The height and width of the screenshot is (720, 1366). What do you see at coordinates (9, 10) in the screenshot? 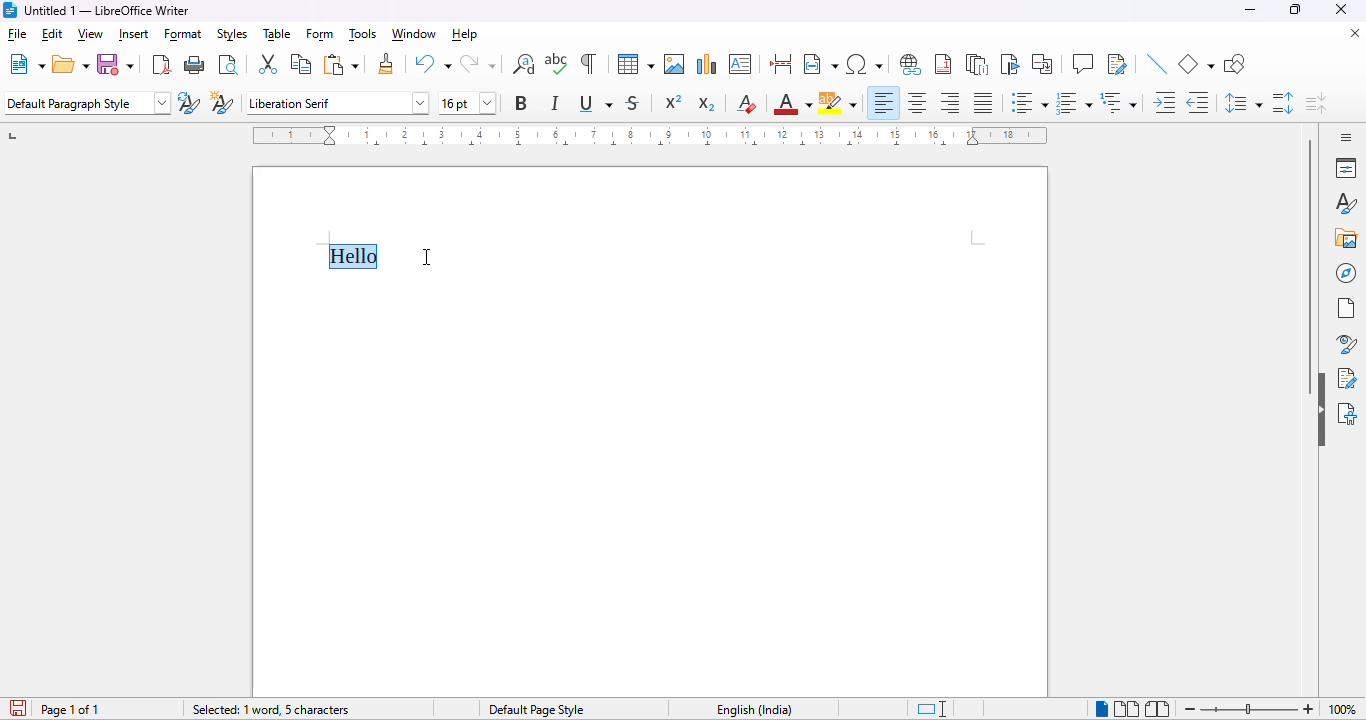
I see `logo` at bounding box center [9, 10].